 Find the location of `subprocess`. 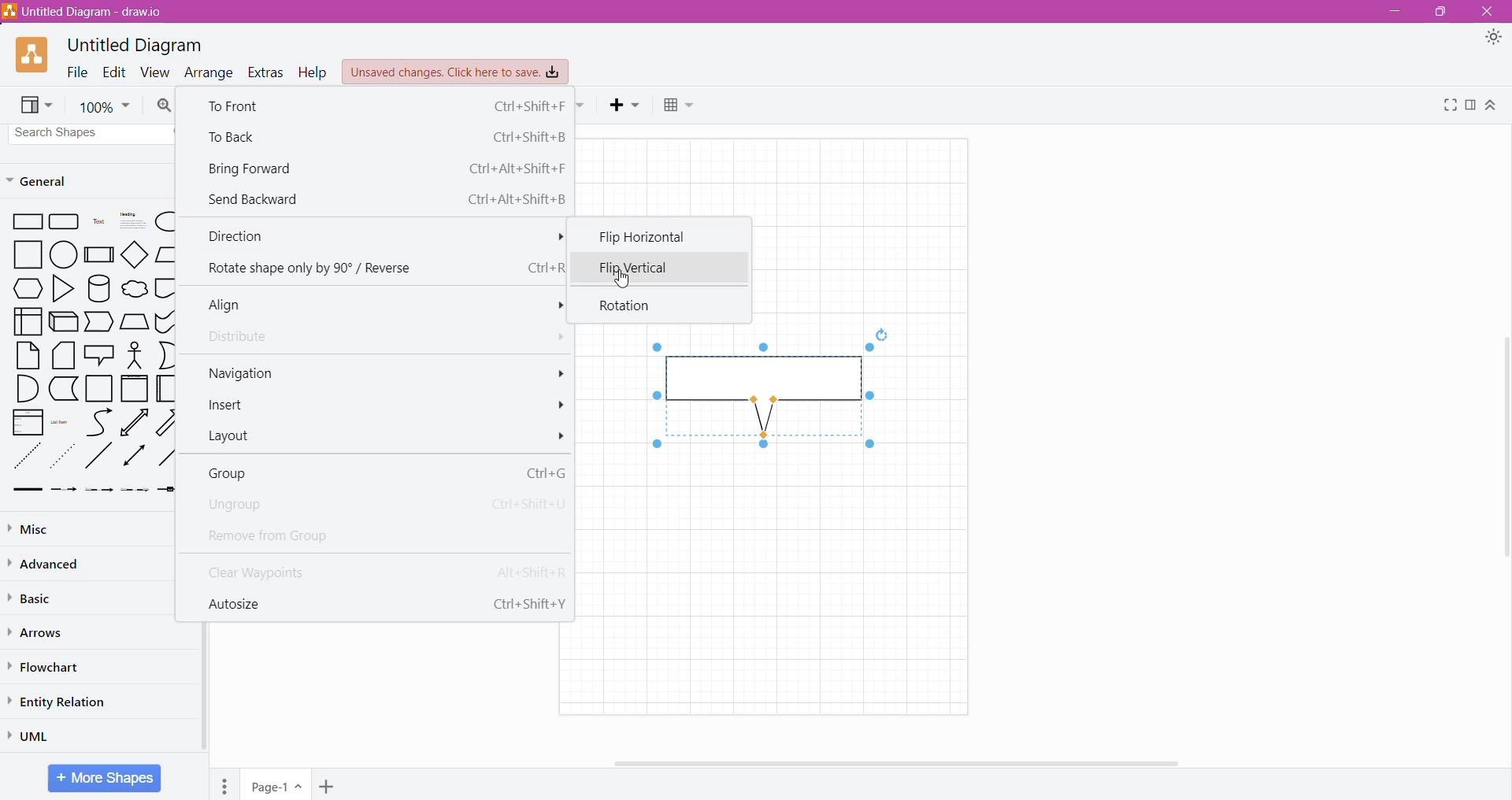

subprocess is located at coordinates (98, 254).